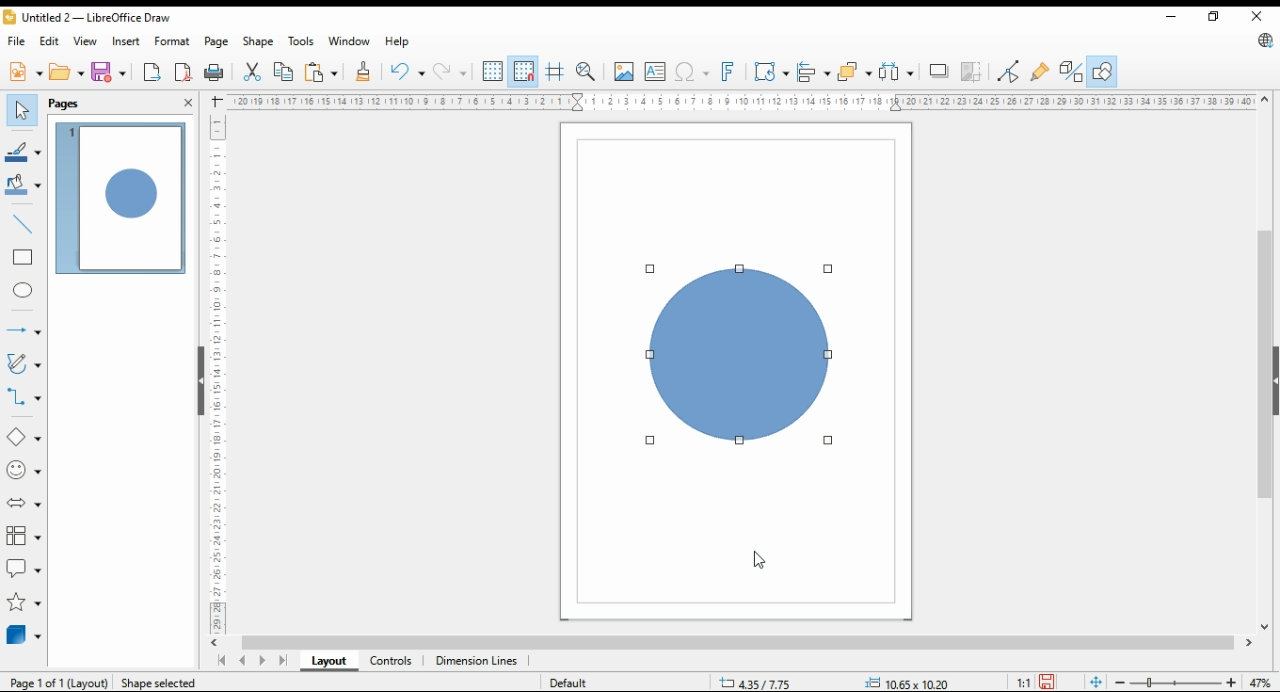  What do you see at coordinates (258, 42) in the screenshot?
I see `shape` at bounding box center [258, 42].